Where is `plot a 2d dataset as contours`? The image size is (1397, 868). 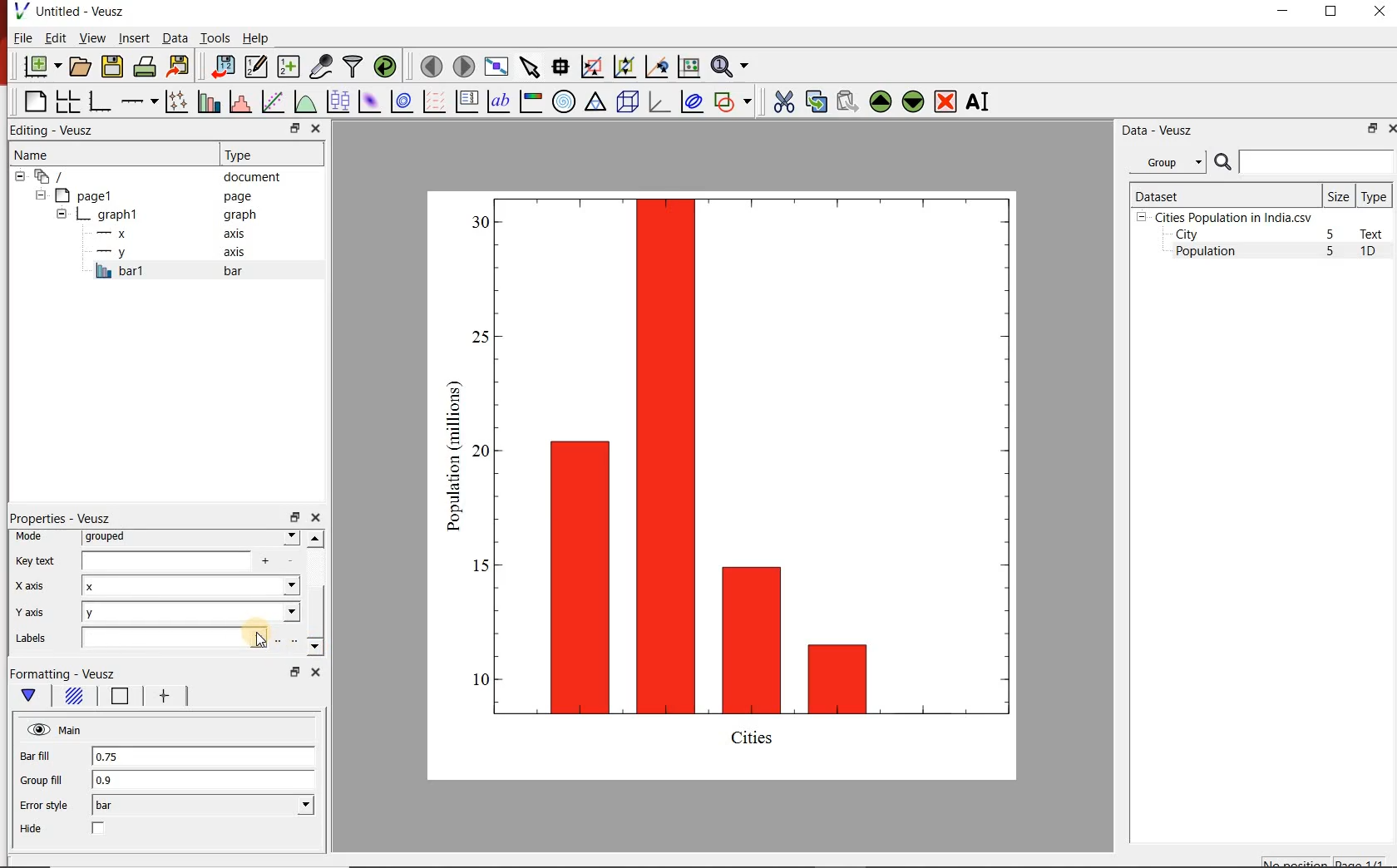
plot a 2d dataset as contours is located at coordinates (400, 101).